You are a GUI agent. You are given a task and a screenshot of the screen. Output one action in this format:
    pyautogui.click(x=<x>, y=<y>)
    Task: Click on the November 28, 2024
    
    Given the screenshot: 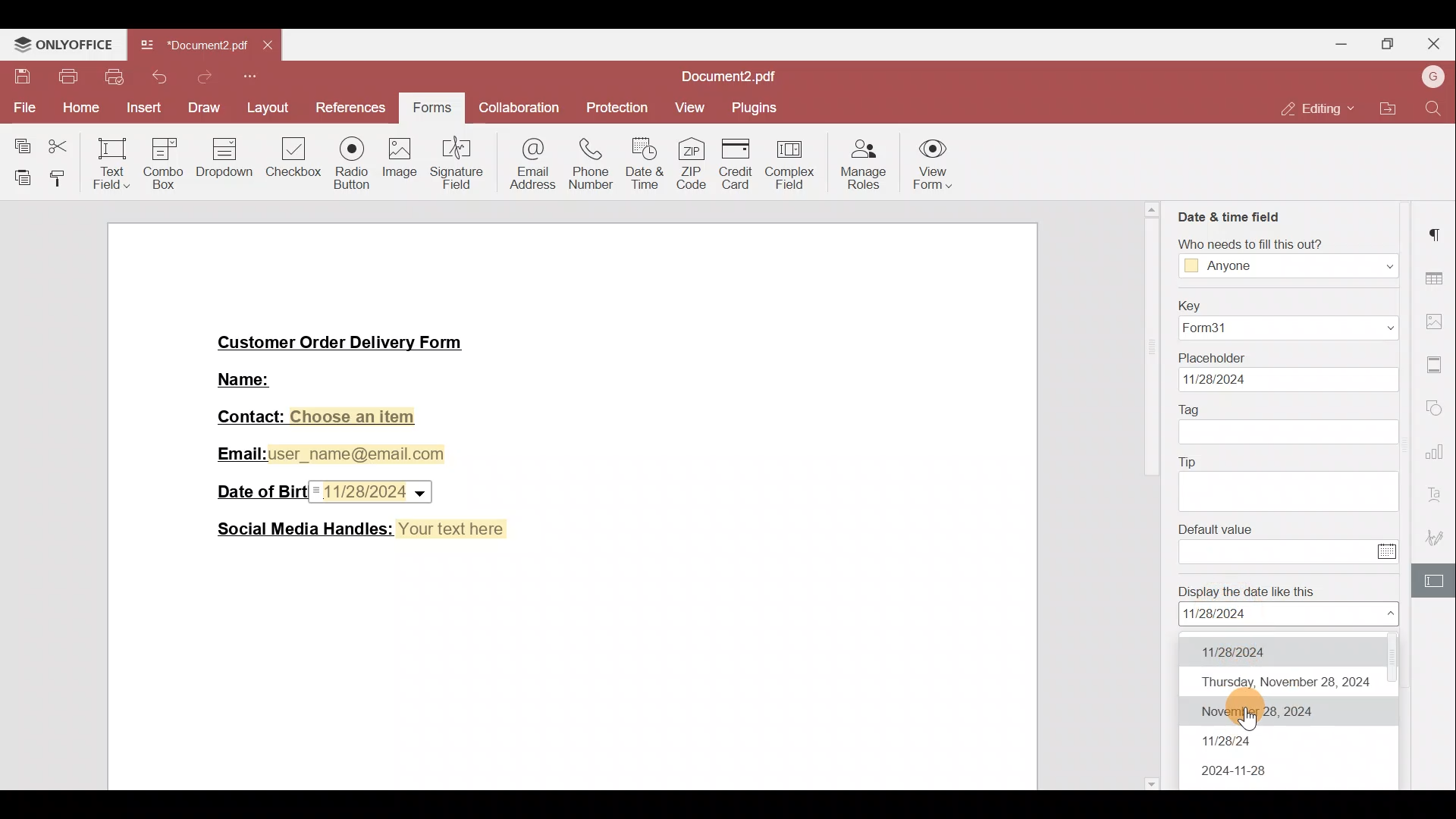 What is the action you would take?
    pyautogui.click(x=1281, y=713)
    